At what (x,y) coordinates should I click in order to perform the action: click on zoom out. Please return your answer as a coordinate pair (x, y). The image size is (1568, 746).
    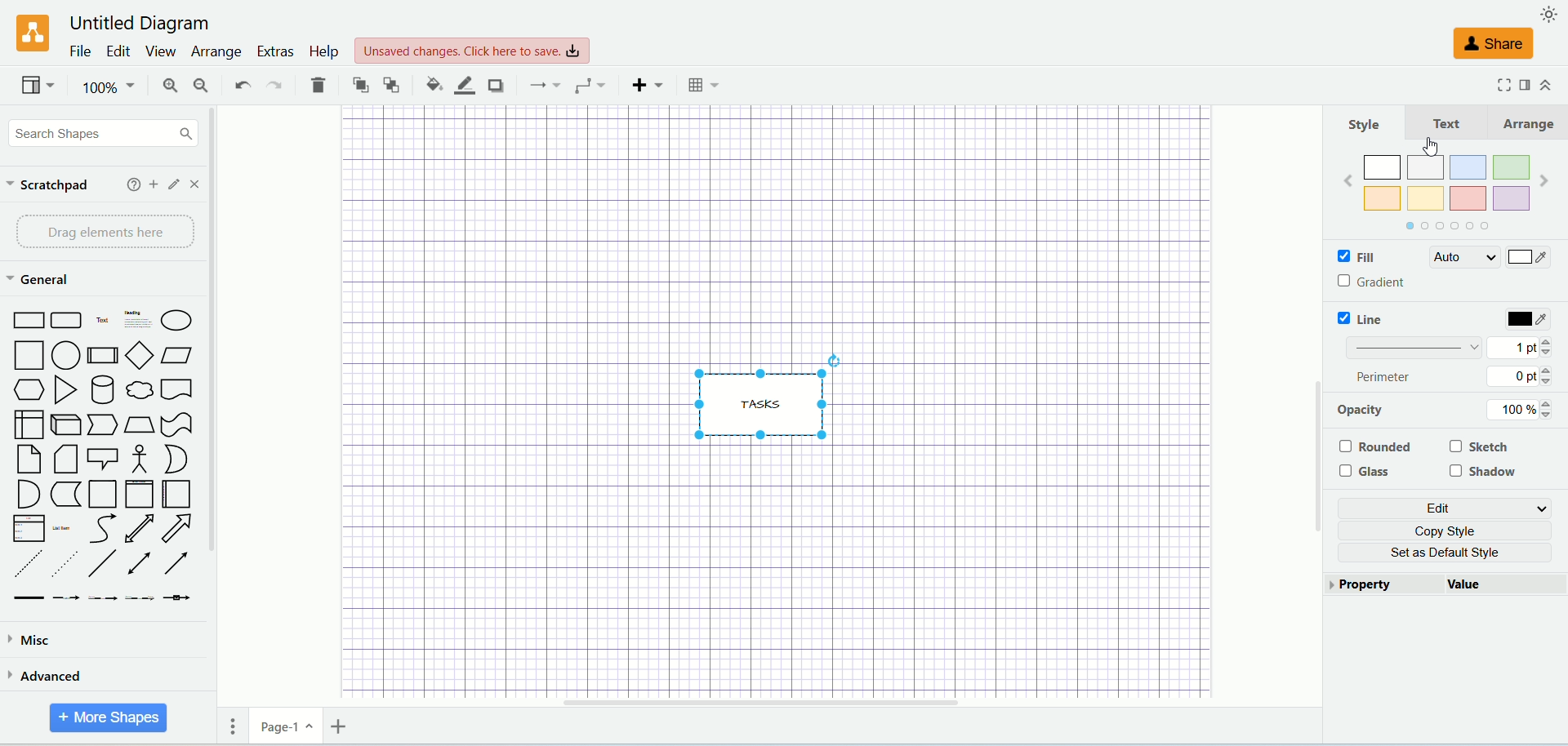
    Looking at the image, I should click on (198, 85).